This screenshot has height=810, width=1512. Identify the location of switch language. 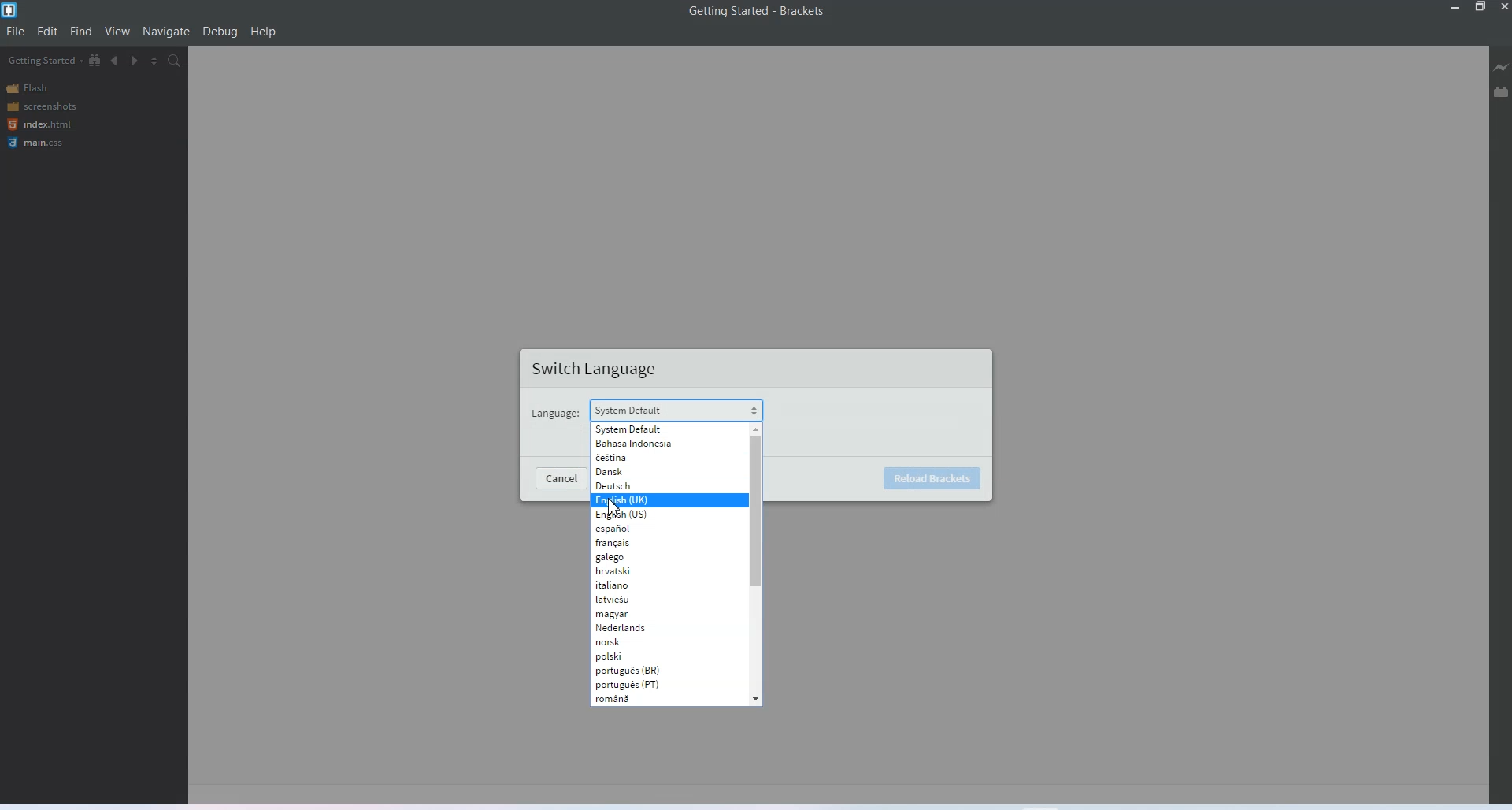
(598, 370).